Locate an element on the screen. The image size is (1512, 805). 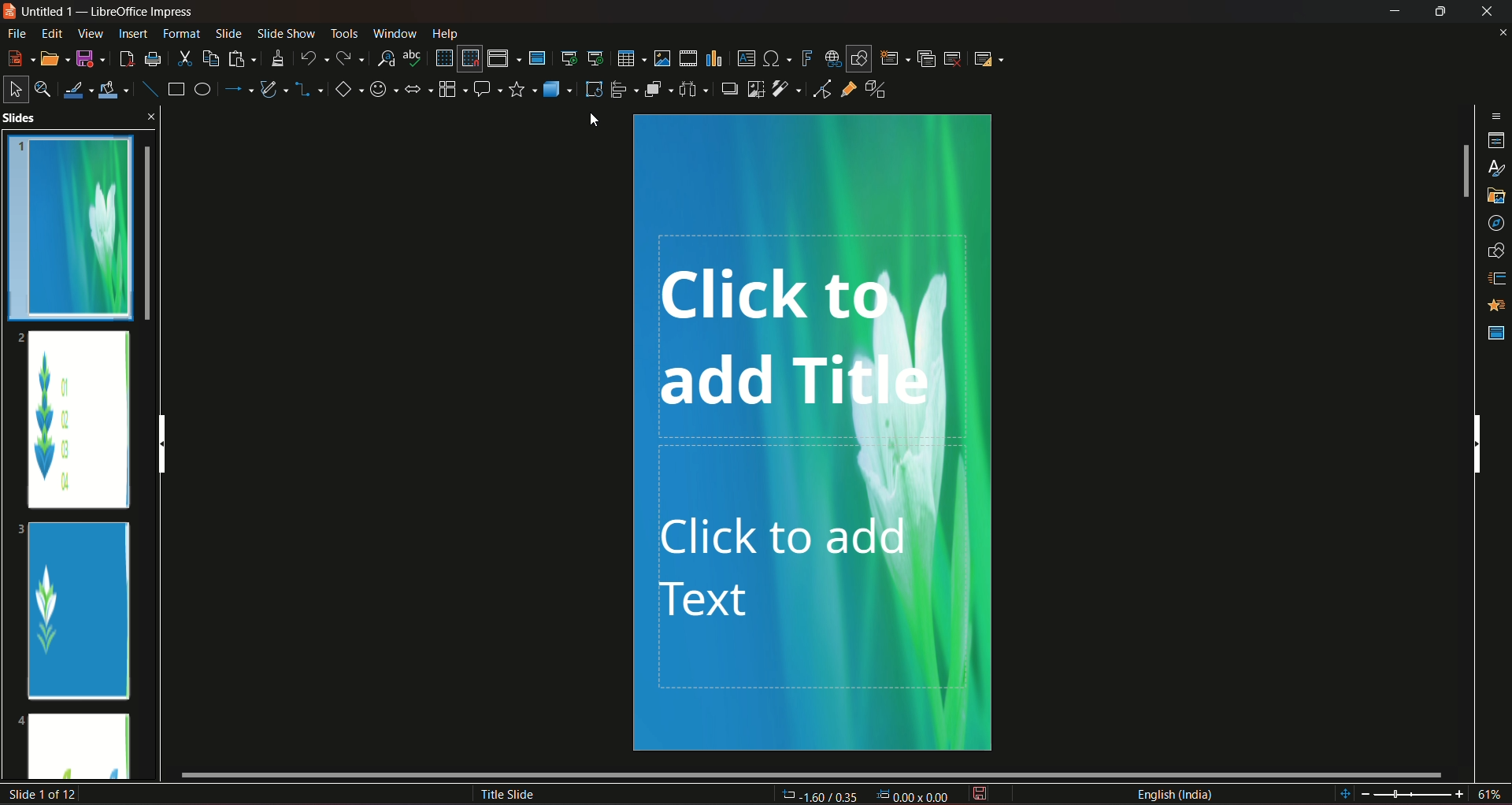
edit is located at coordinates (50, 33).